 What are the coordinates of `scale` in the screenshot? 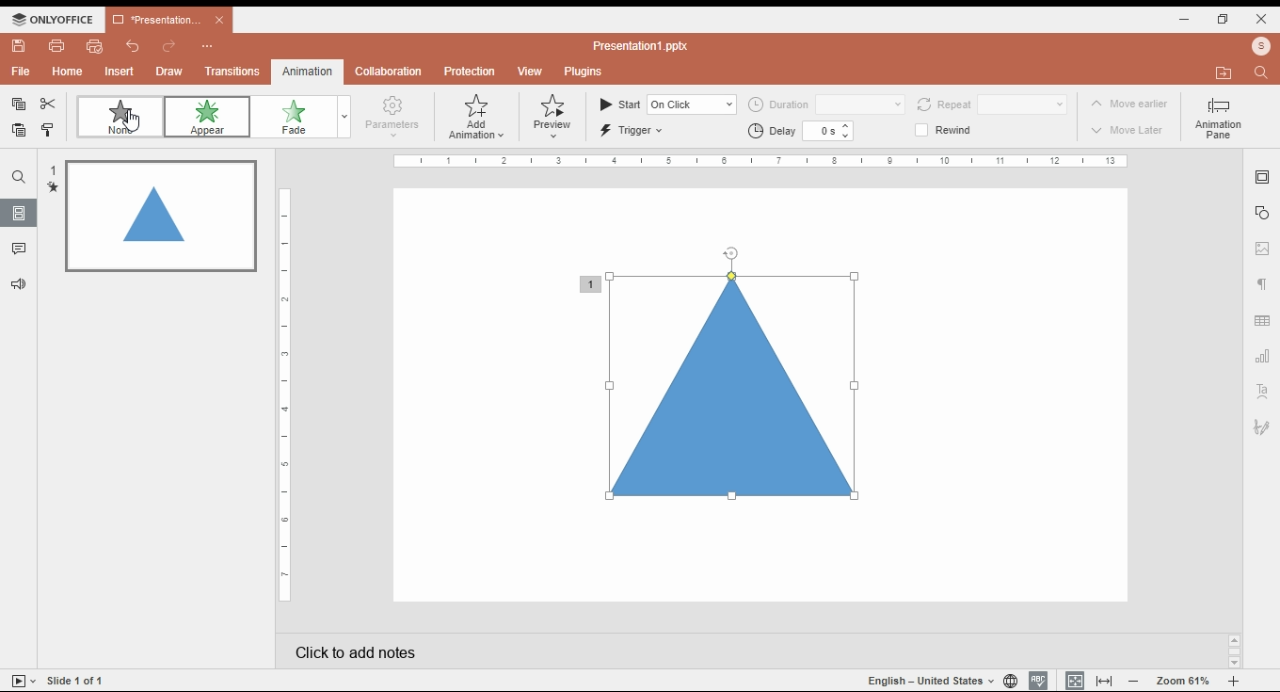 It's located at (764, 161).